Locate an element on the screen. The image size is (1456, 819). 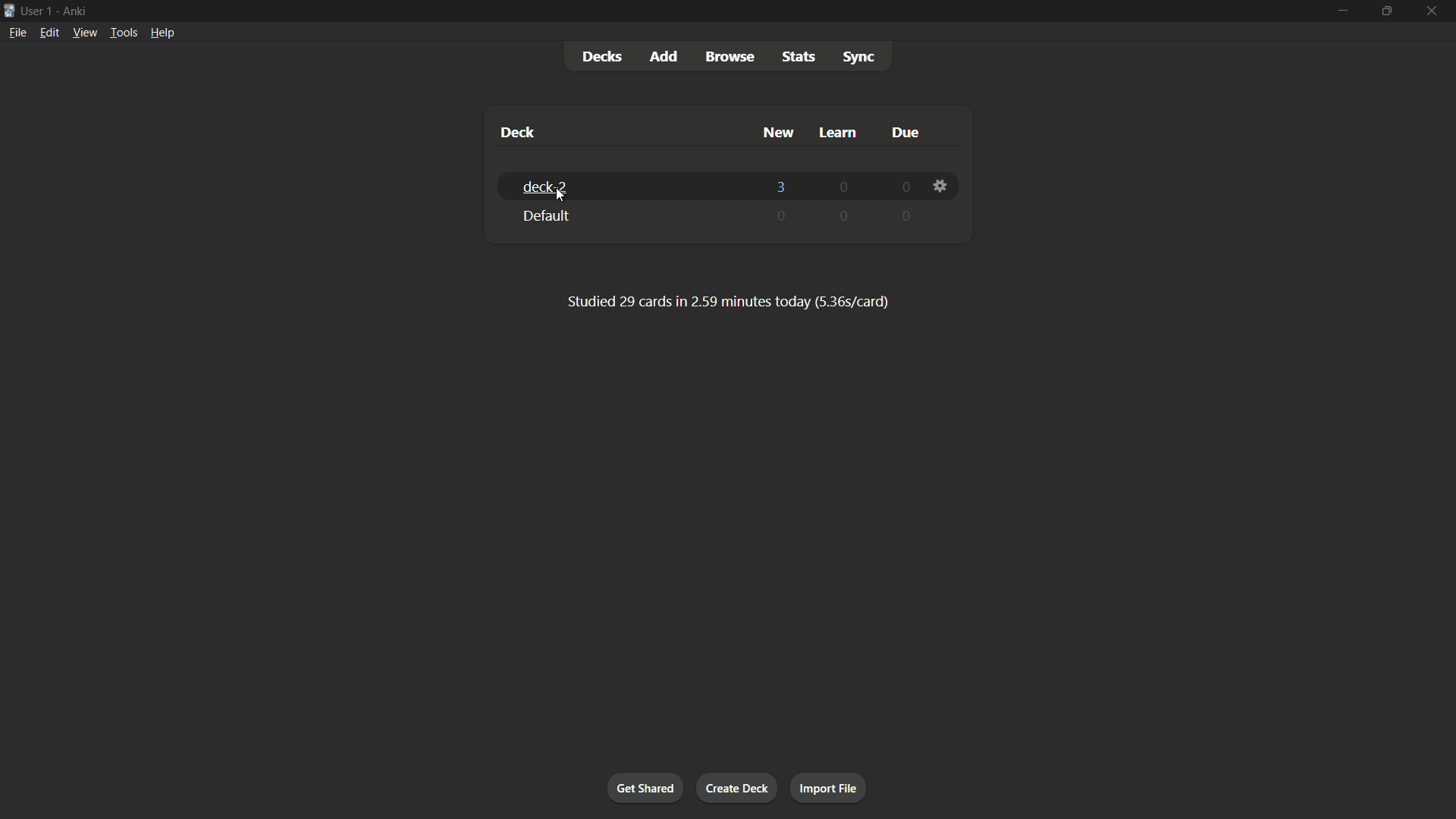
sync is located at coordinates (859, 55).